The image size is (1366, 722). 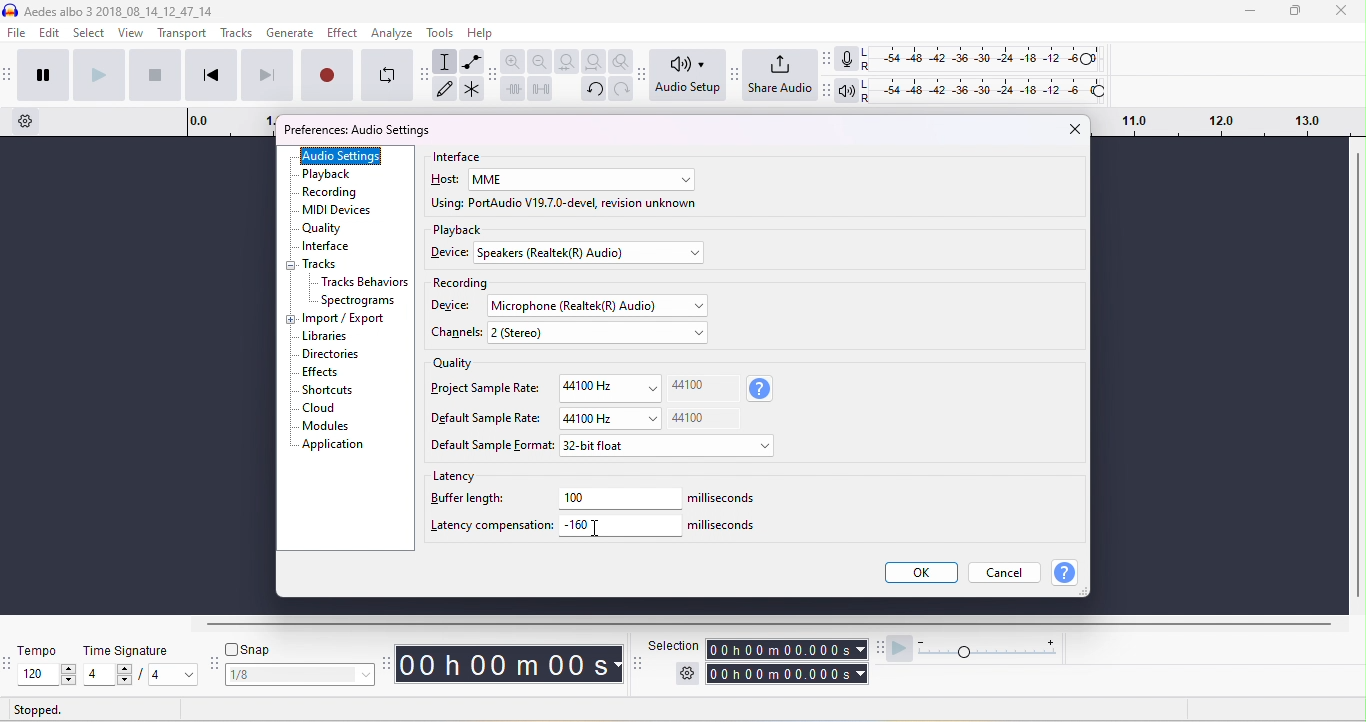 What do you see at coordinates (779, 674) in the screenshot?
I see `total time` at bounding box center [779, 674].